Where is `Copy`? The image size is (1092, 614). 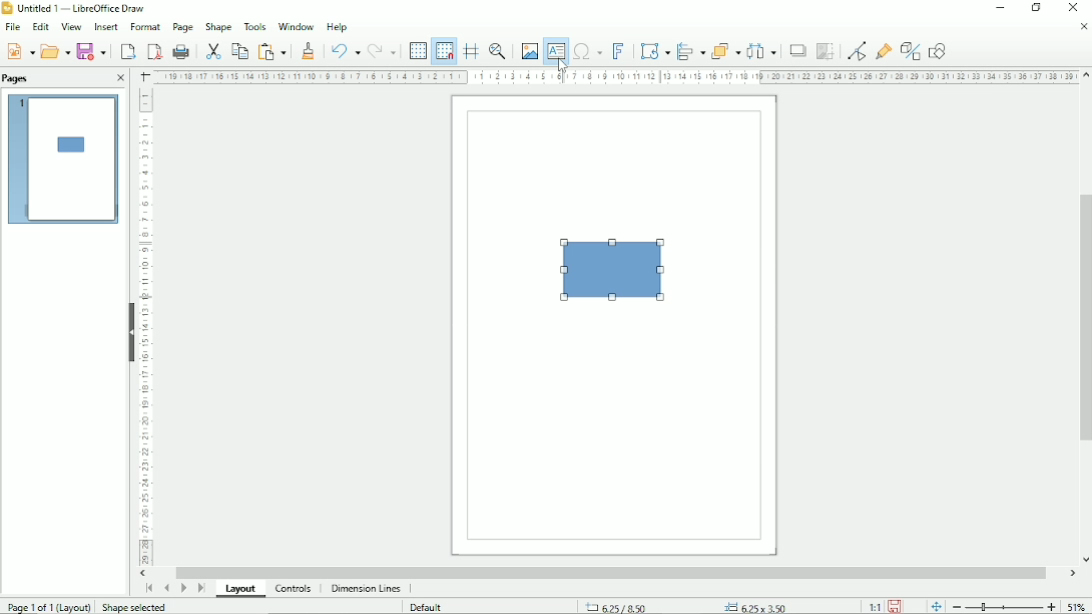 Copy is located at coordinates (238, 50).